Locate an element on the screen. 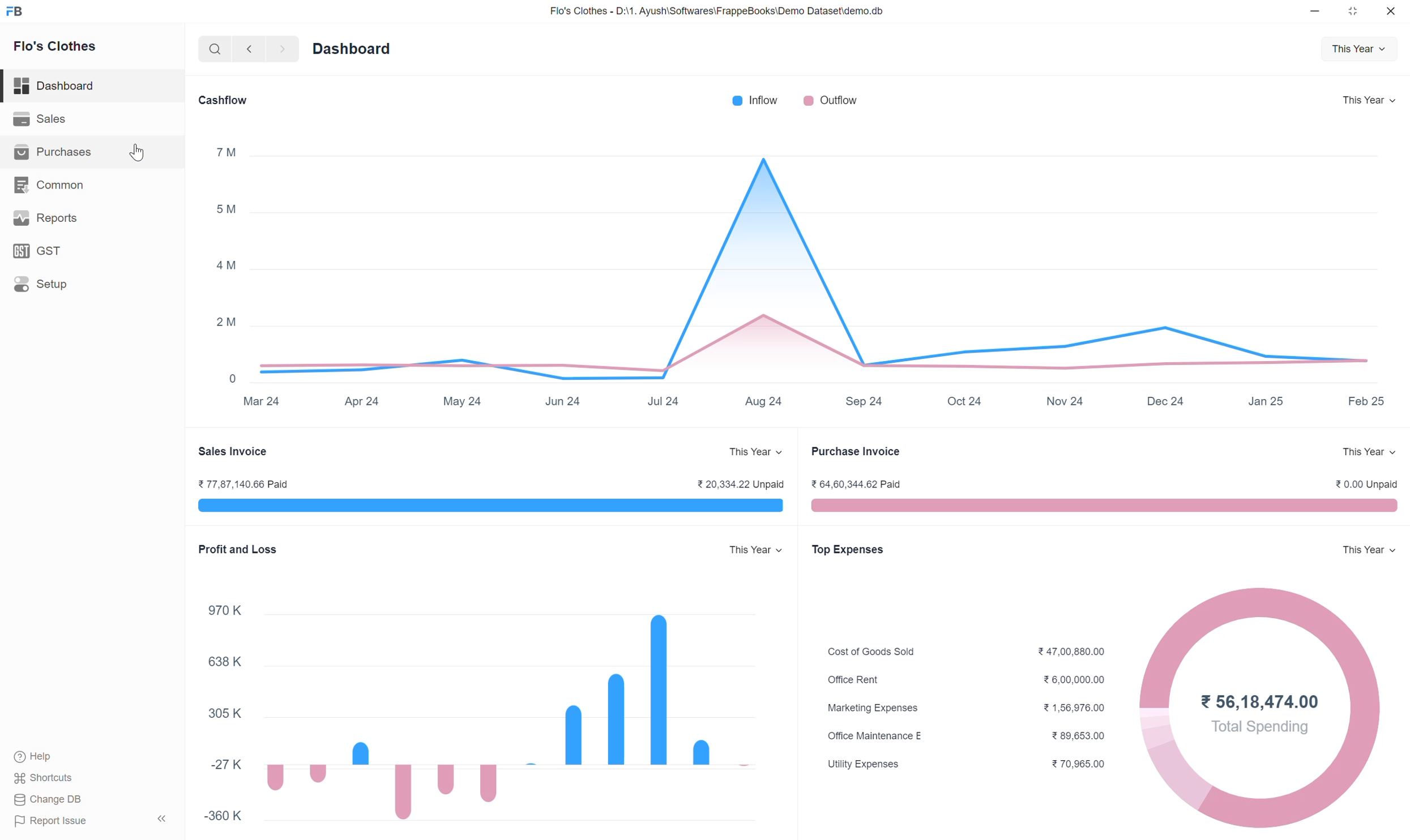 The width and height of the screenshot is (1410, 840). Outflow is located at coordinates (831, 100).